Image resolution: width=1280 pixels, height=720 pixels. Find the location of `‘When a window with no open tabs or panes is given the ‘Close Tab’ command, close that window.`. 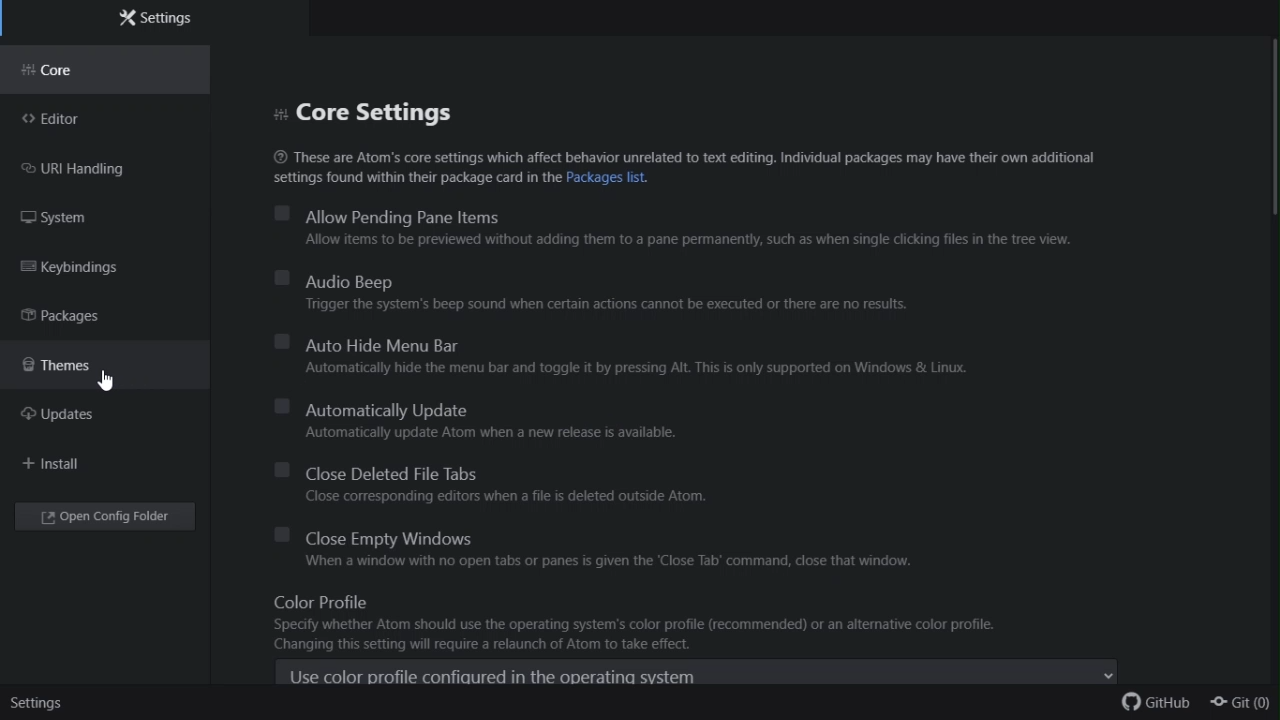

‘When a window with no open tabs or panes is given the ‘Close Tab’ command, close that window. is located at coordinates (604, 562).